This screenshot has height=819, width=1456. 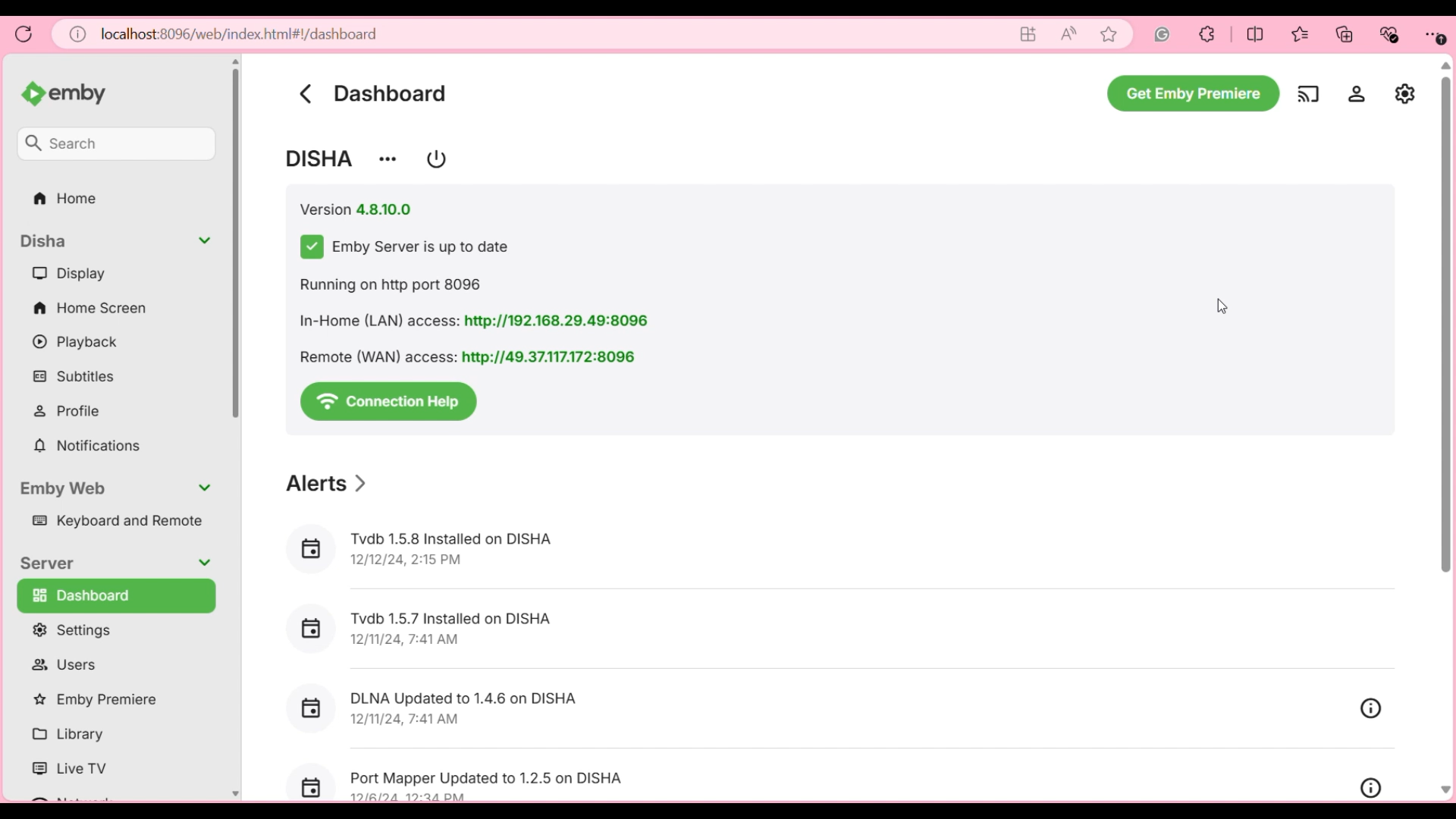 What do you see at coordinates (113, 411) in the screenshot?
I see `Profile` at bounding box center [113, 411].